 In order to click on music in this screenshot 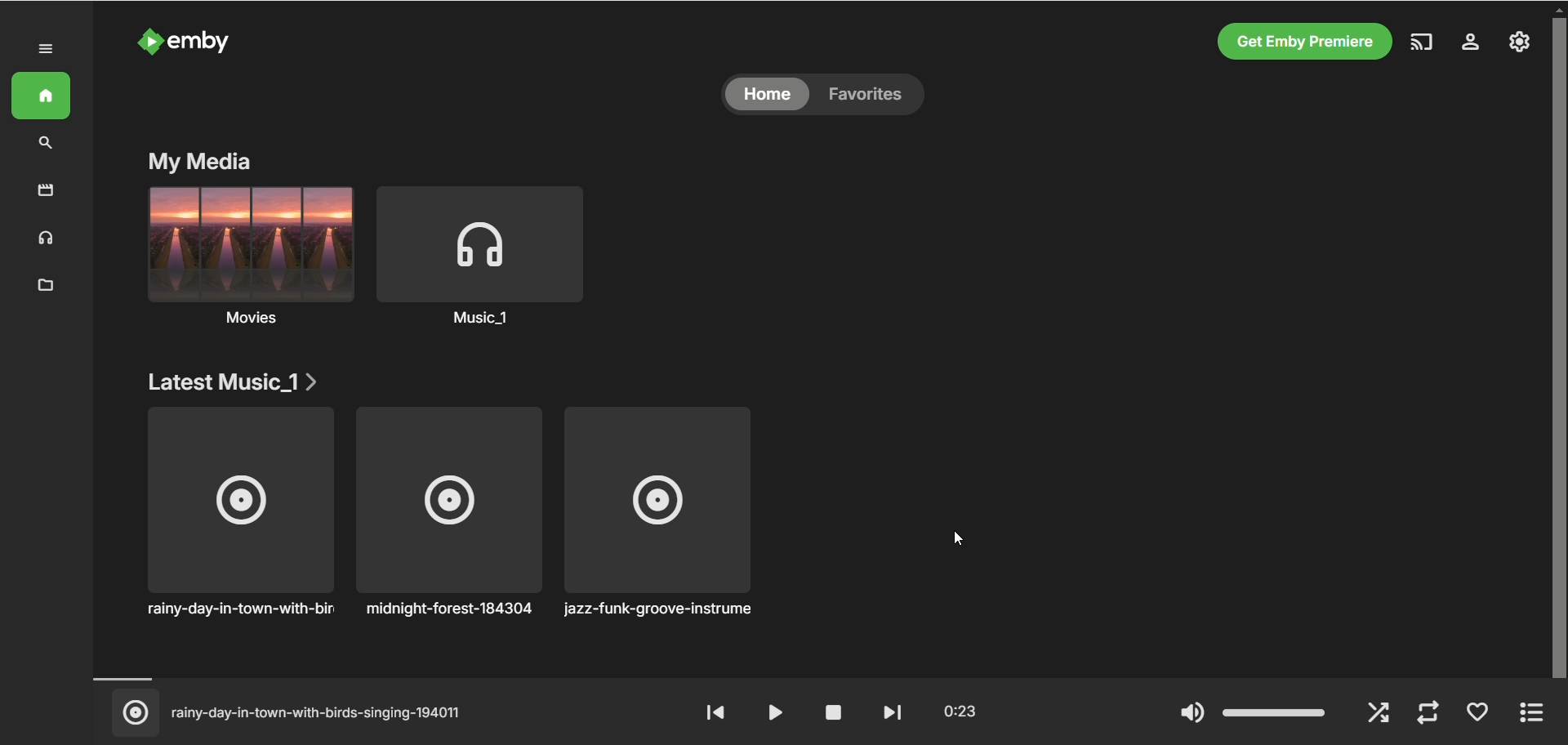, I will do `click(46, 236)`.